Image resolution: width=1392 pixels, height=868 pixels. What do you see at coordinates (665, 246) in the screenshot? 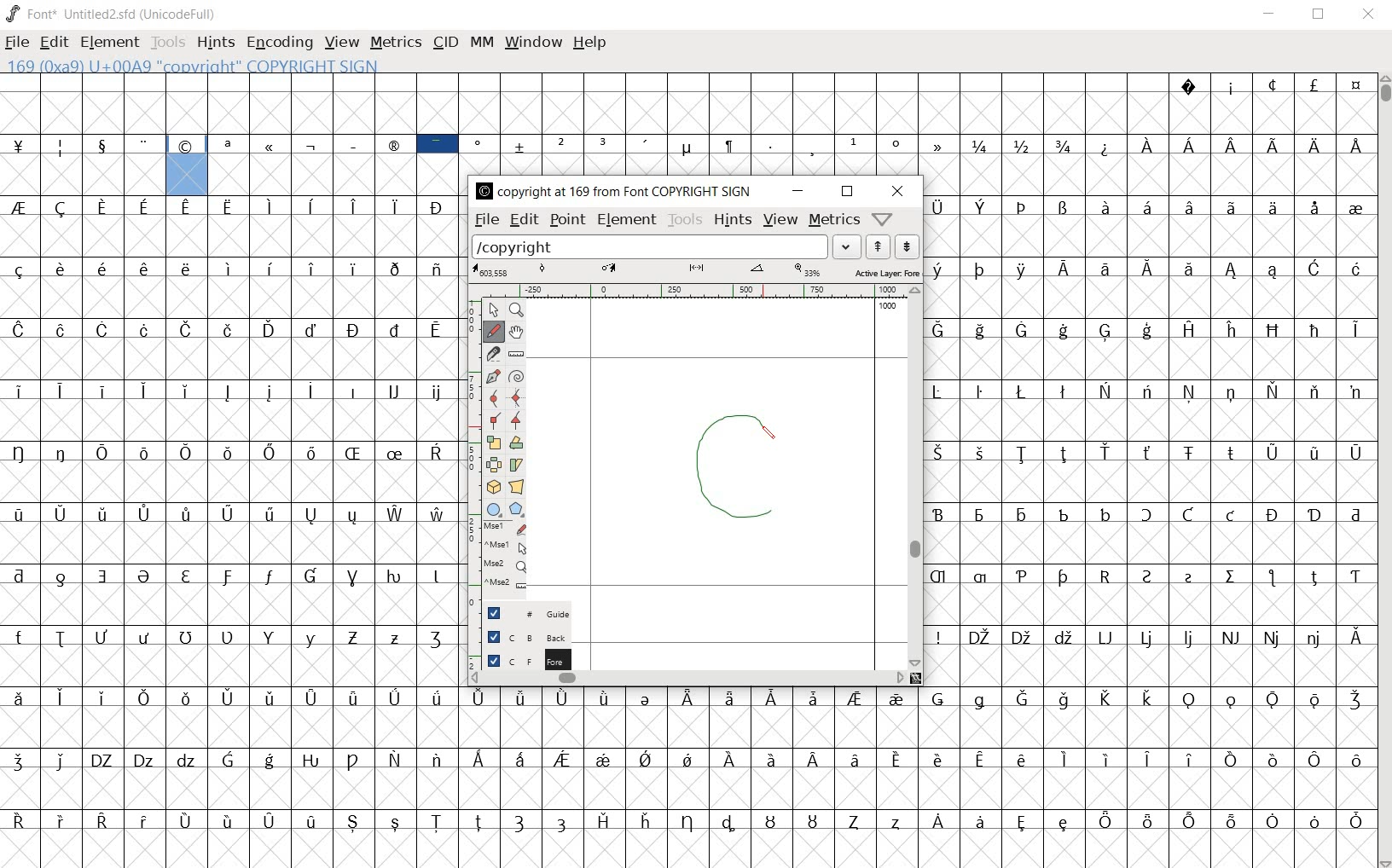
I see `load word list` at bounding box center [665, 246].